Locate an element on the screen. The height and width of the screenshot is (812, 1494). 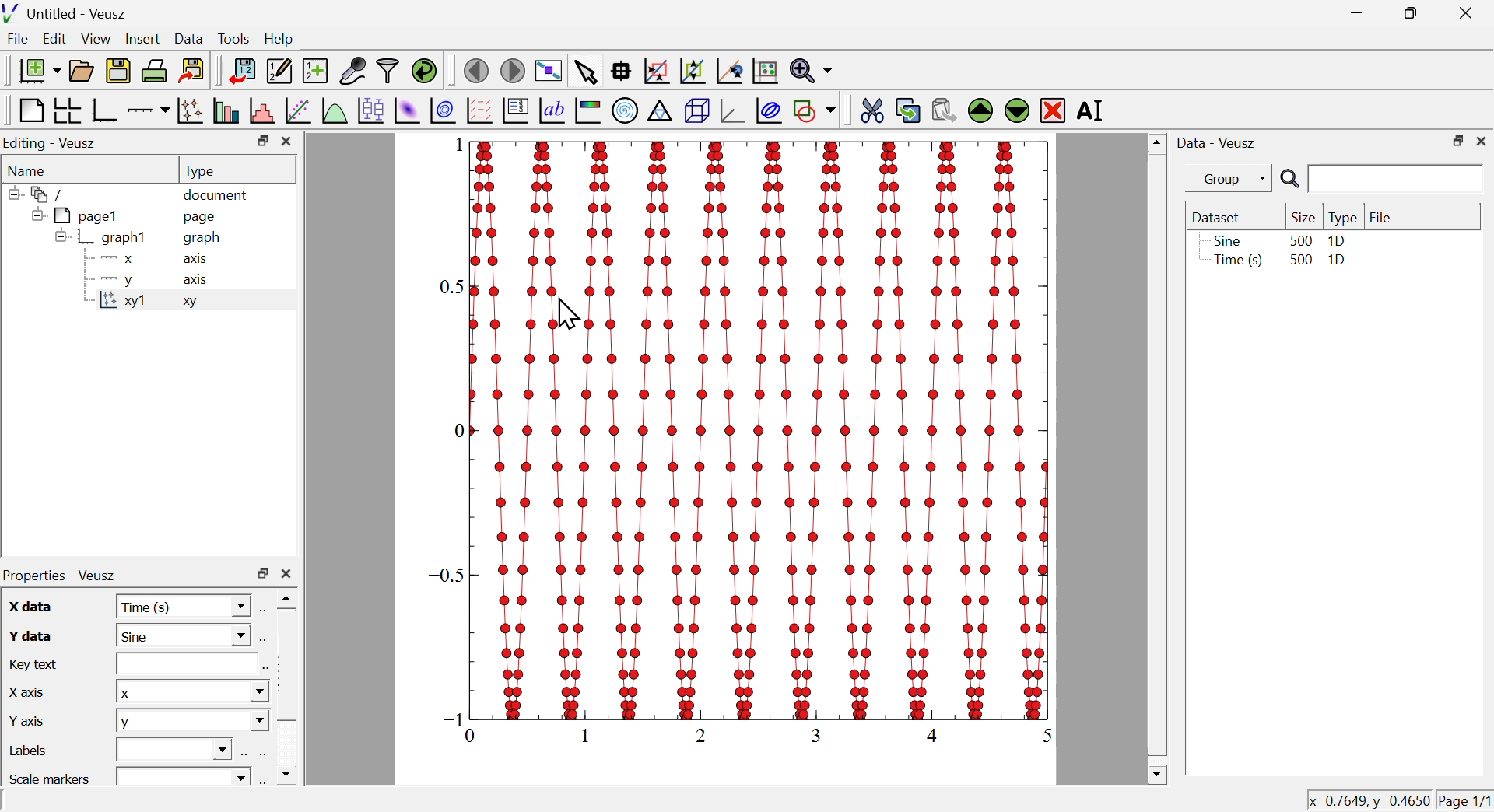
maximize is located at coordinates (260, 141).